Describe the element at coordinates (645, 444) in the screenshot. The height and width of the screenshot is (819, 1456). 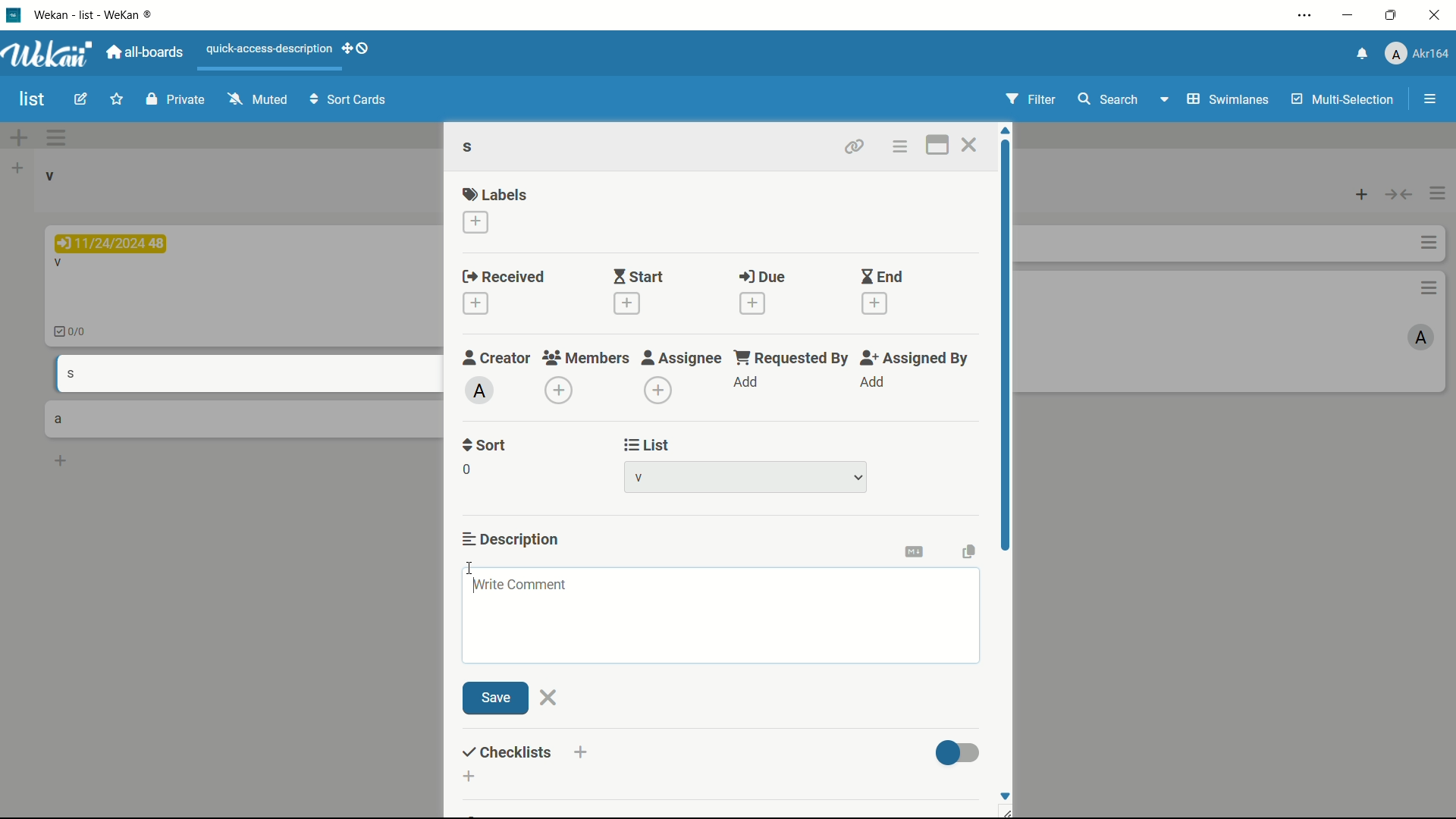
I see `list` at that location.